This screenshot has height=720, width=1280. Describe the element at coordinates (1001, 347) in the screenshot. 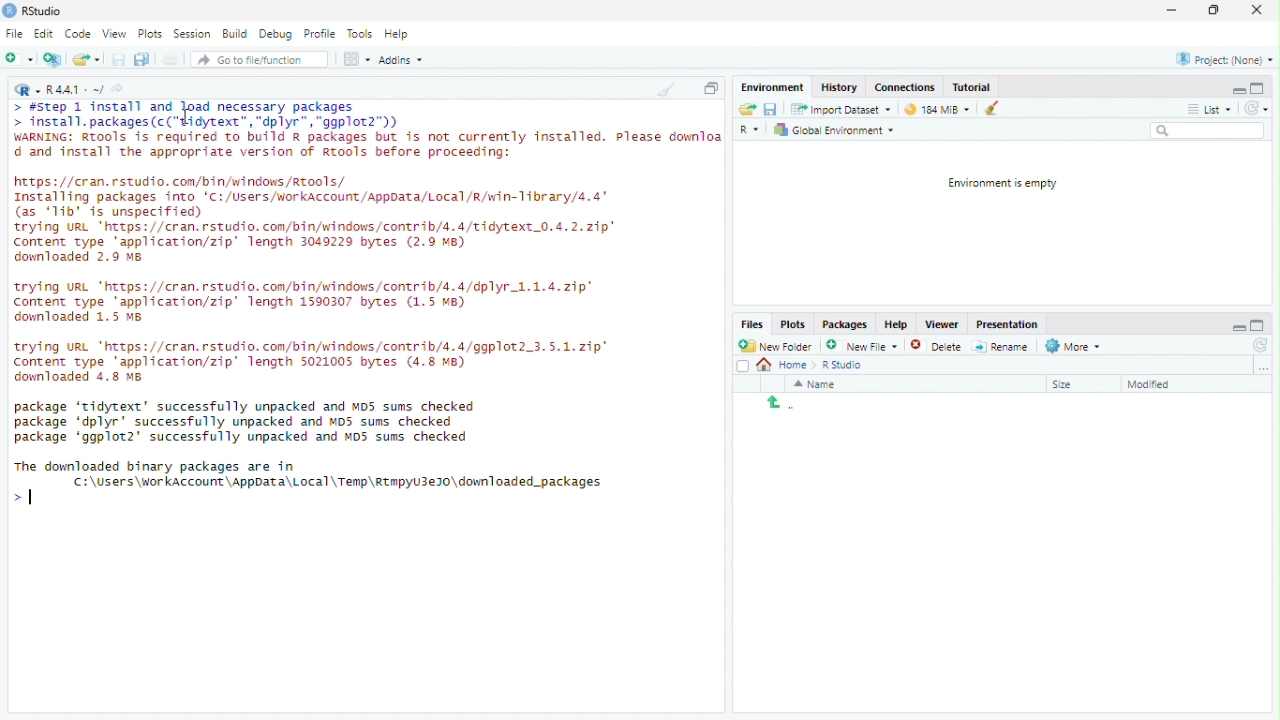

I see `Rename` at that location.